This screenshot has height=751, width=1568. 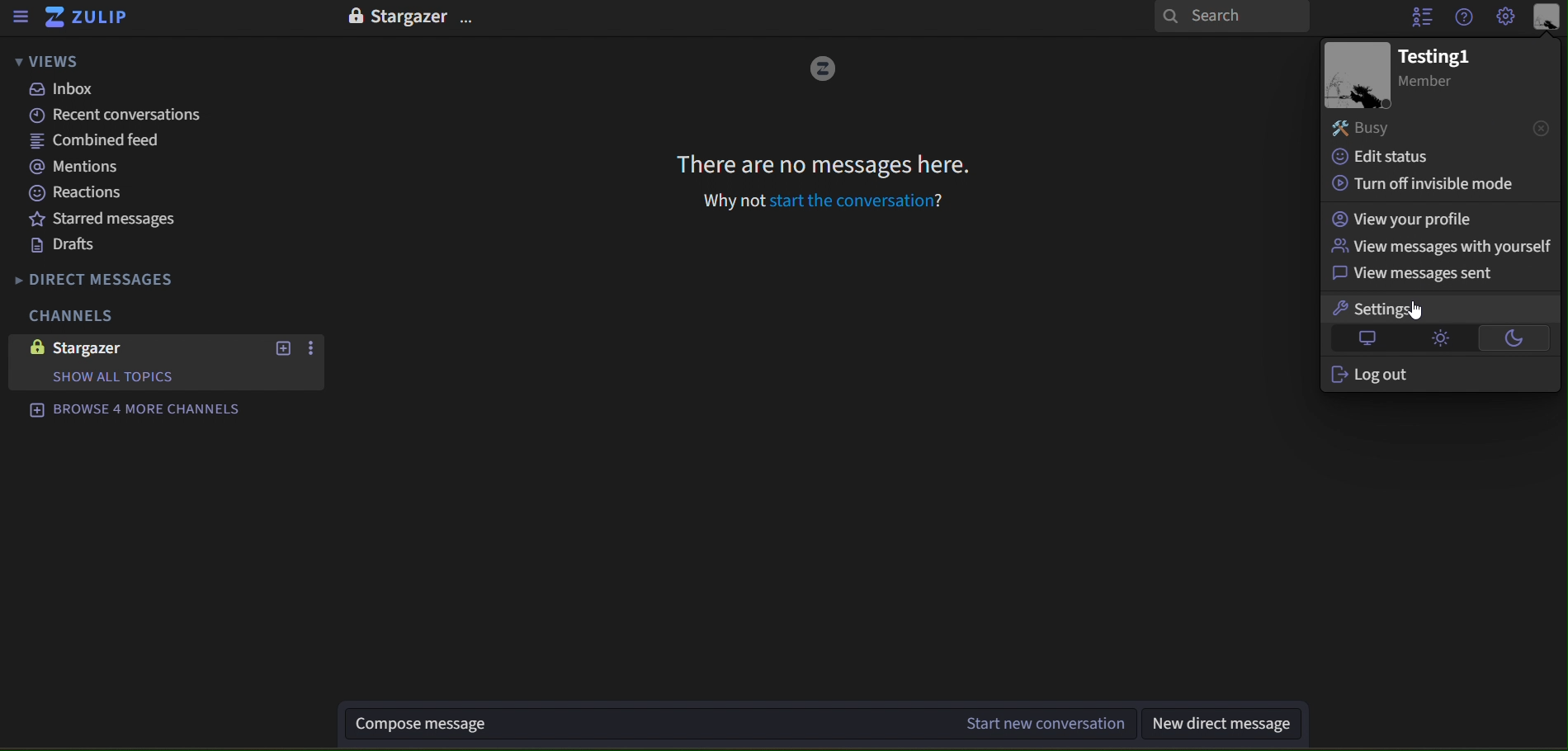 I want to click on Compose message, so click(x=645, y=725).